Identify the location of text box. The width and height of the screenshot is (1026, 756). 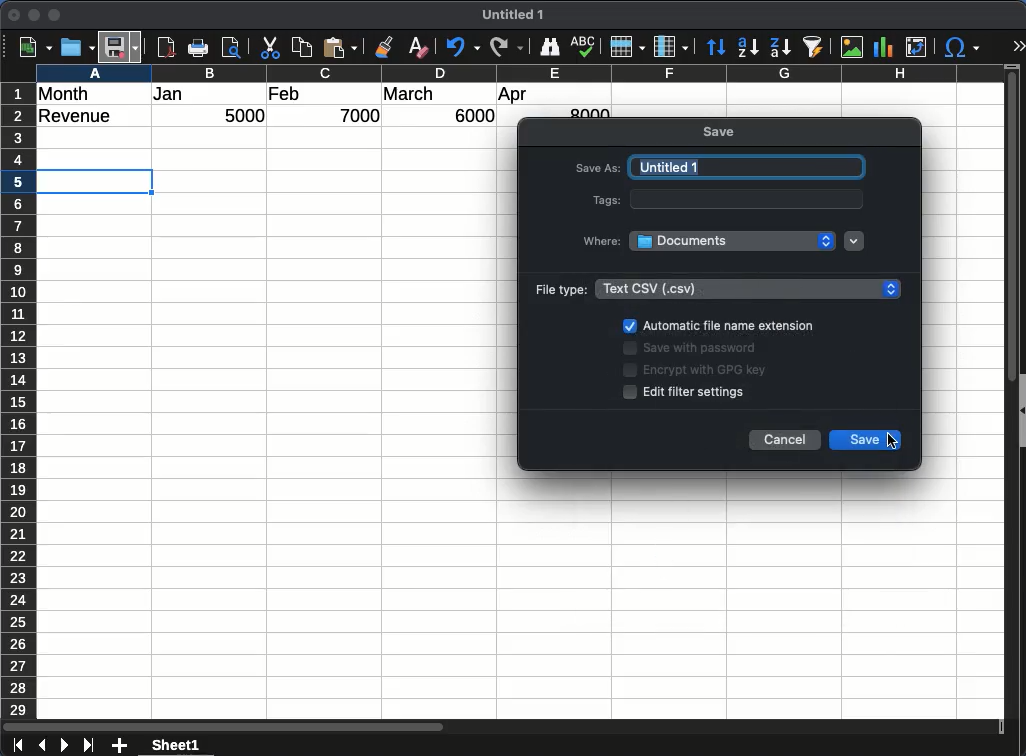
(748, 199).